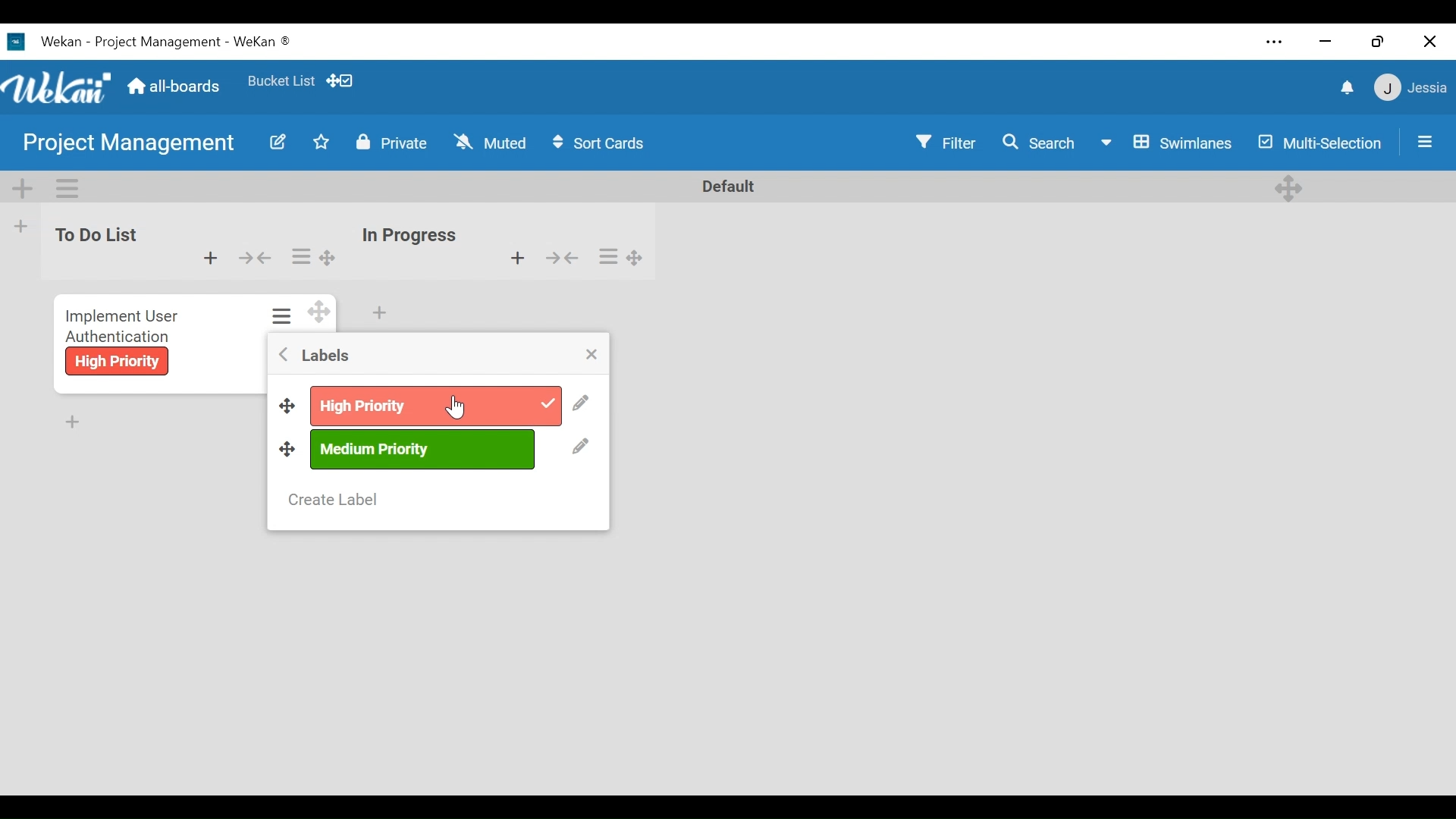 This screenshot has width=1456, height=819. Describe the element at coordinates (441, 406) in the screenshot. I see `High Priority` at that location.